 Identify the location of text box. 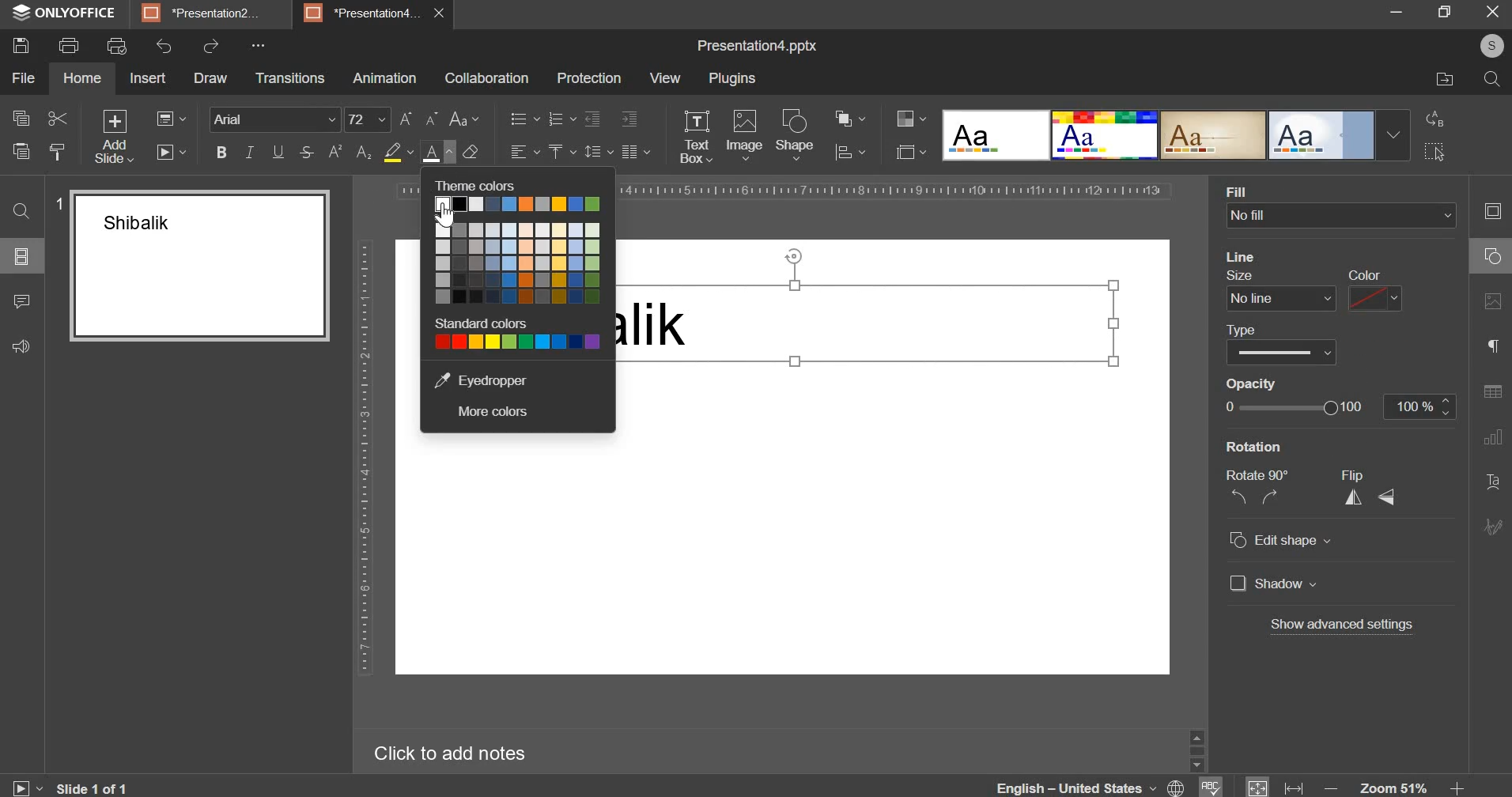
(696, 137).